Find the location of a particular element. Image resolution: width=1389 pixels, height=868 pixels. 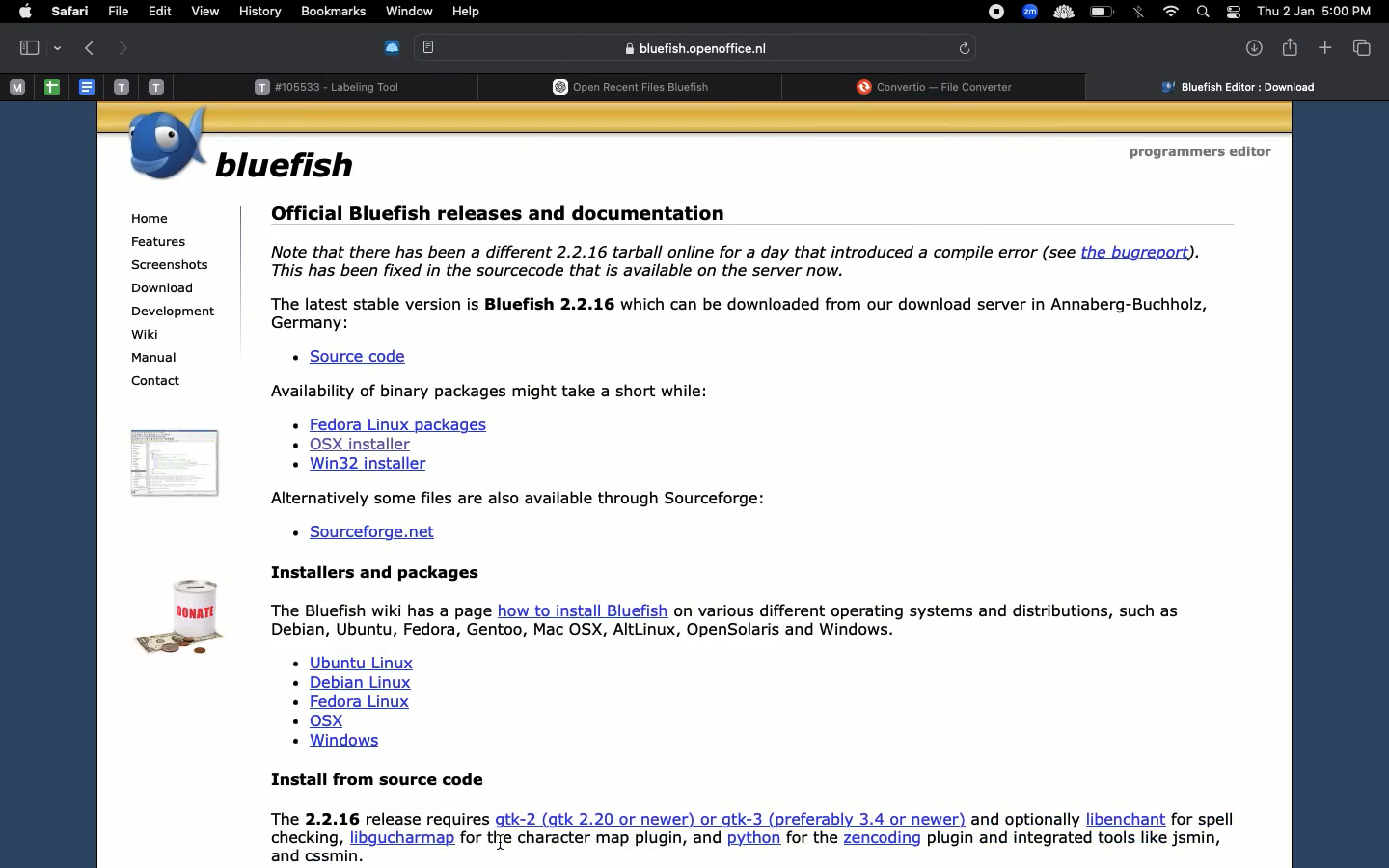

manual is located at coordinates (158, 360).